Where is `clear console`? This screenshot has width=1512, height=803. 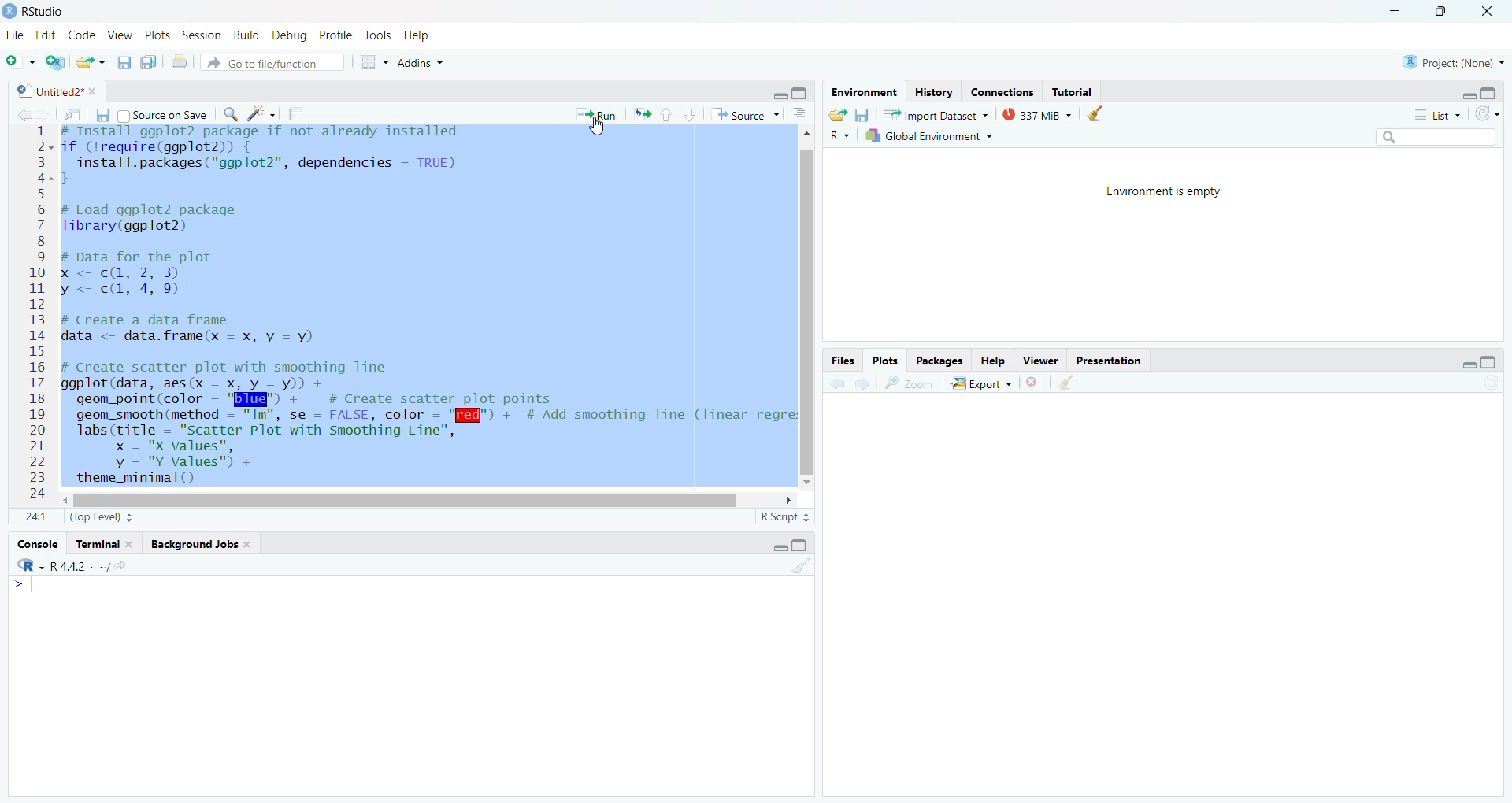
clear console is located at coordinates (799, 567).